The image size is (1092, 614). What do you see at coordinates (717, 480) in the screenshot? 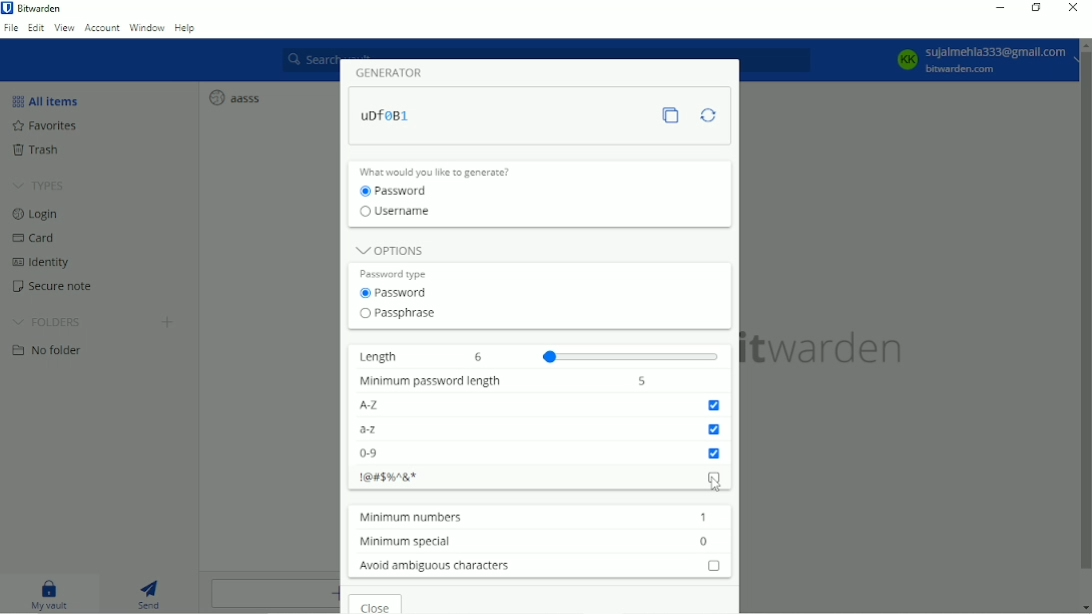
I see `special characters checkbox` at bounding box center [717, 480].